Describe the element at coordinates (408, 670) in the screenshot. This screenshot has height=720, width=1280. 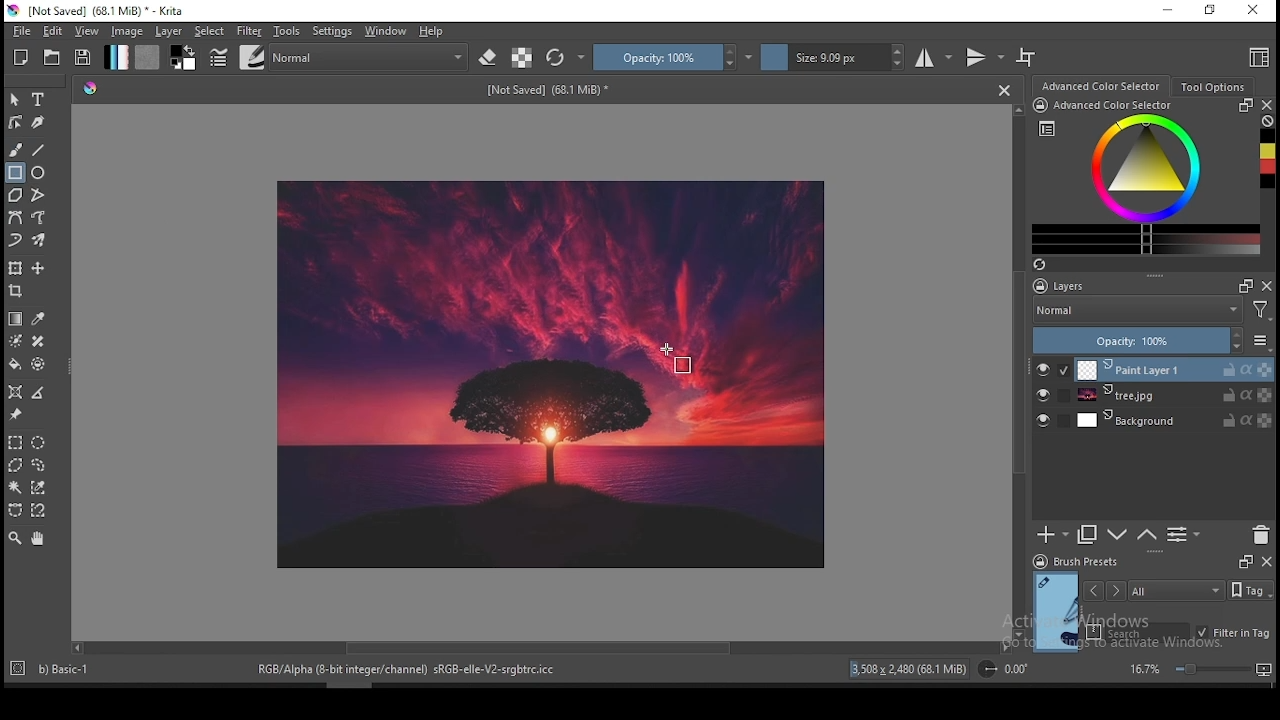
I see `'RGB/Alpha (8-bit integer/channel) sRGB-elle-V2-srgbtre.icc` at that location.